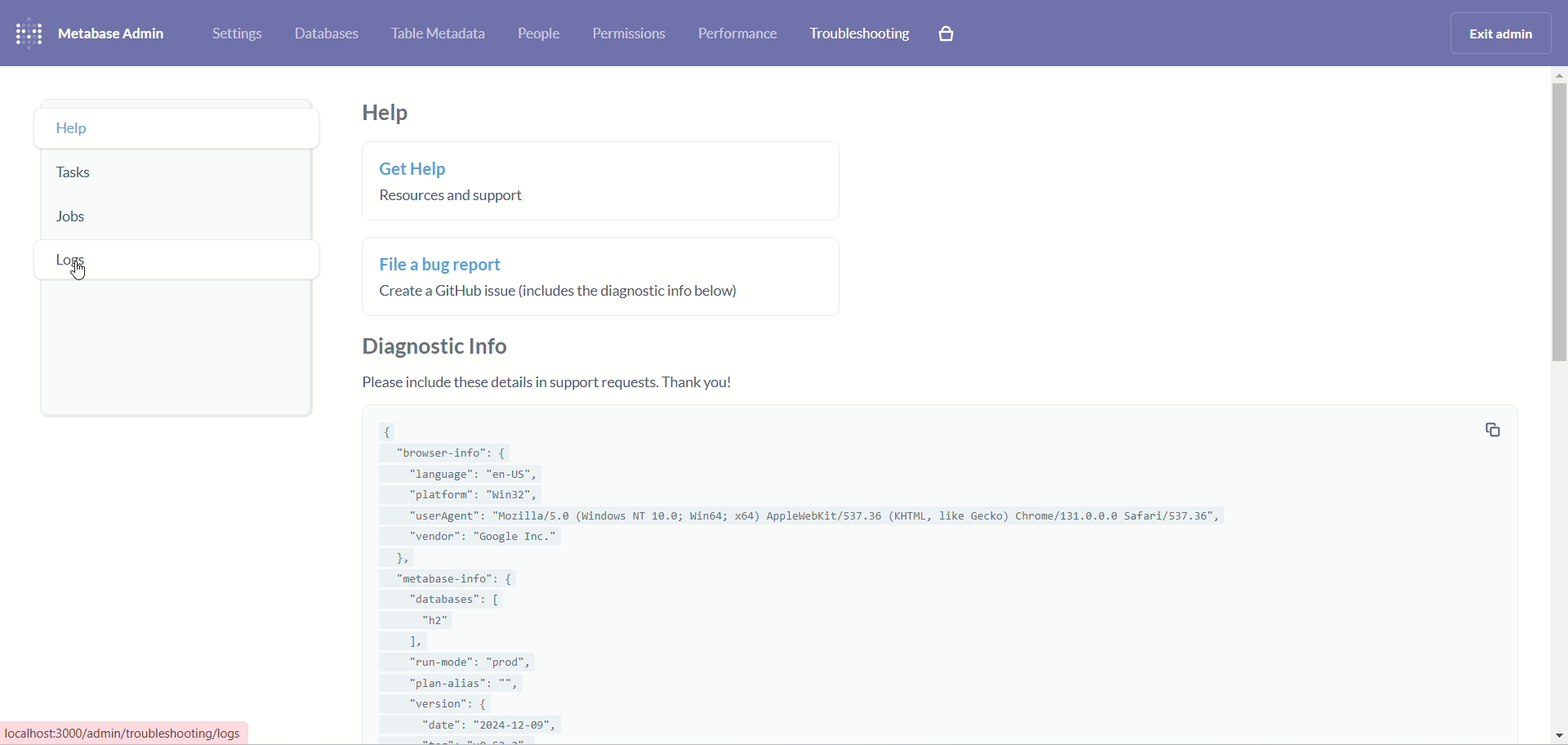 Image resolution: width=1568 pixels, height=745 pixels. I want to click on table metadata, so click(438, 36).